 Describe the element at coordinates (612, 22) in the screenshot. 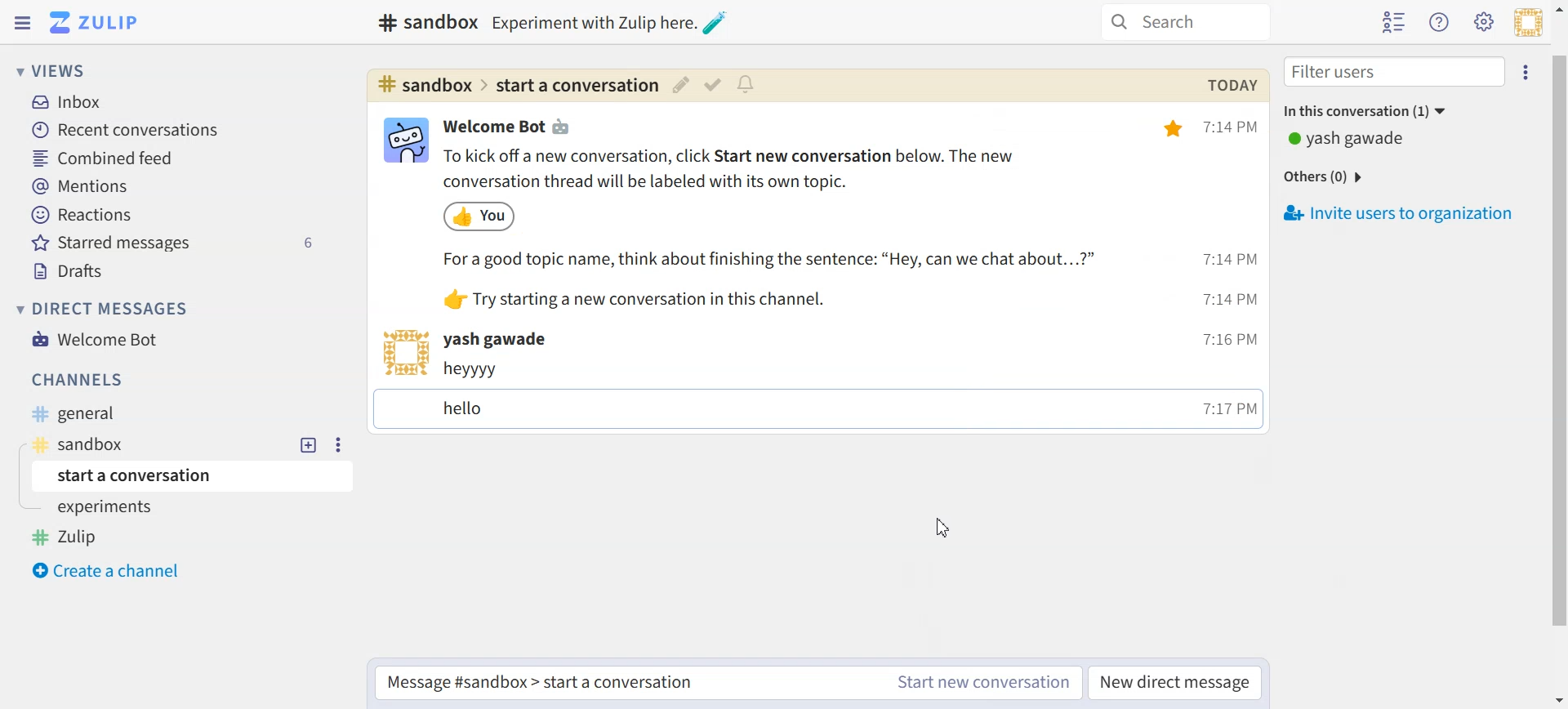

I see `` at that location.